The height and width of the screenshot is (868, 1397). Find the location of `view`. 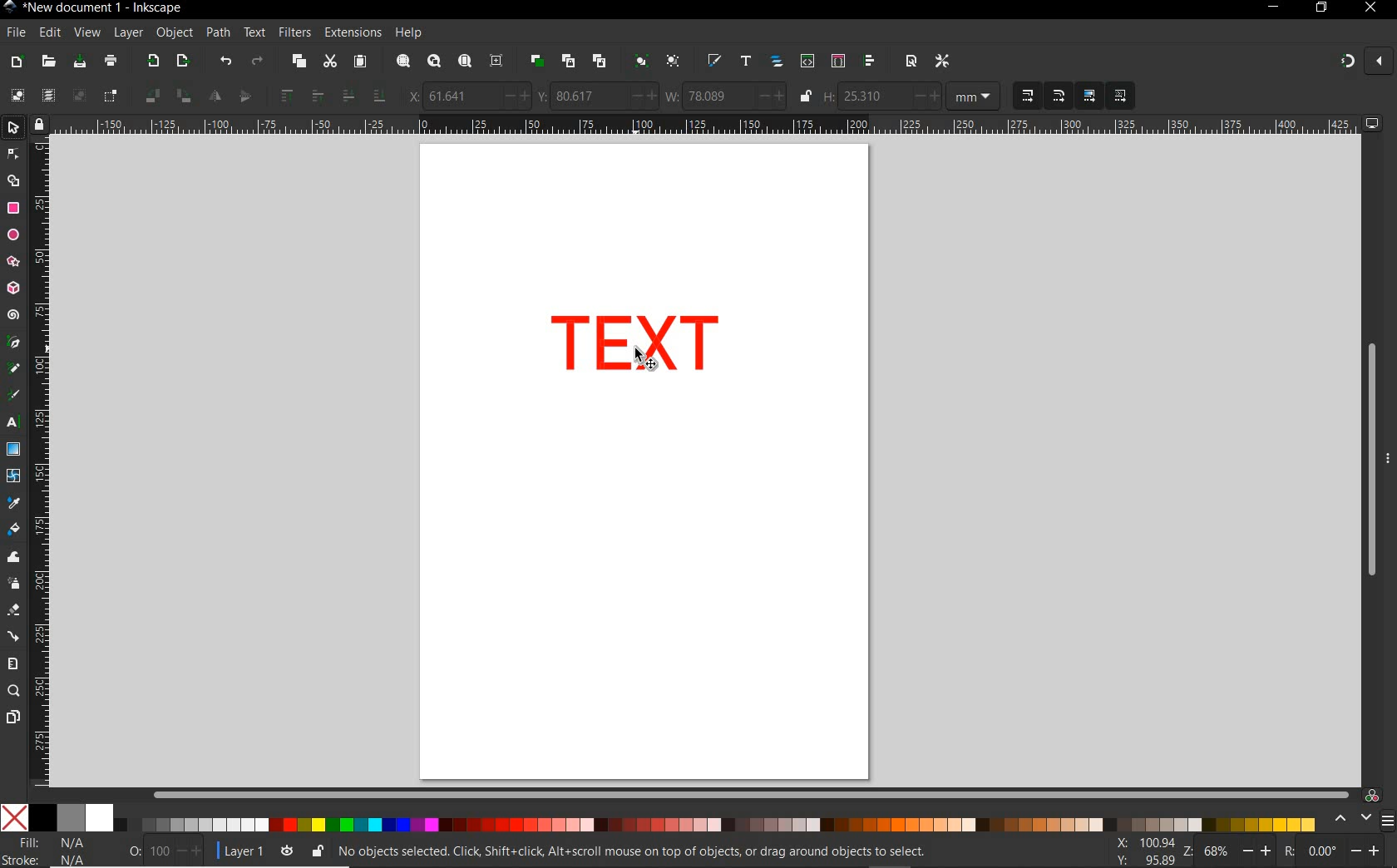

view is located at coordinates (86, 32).